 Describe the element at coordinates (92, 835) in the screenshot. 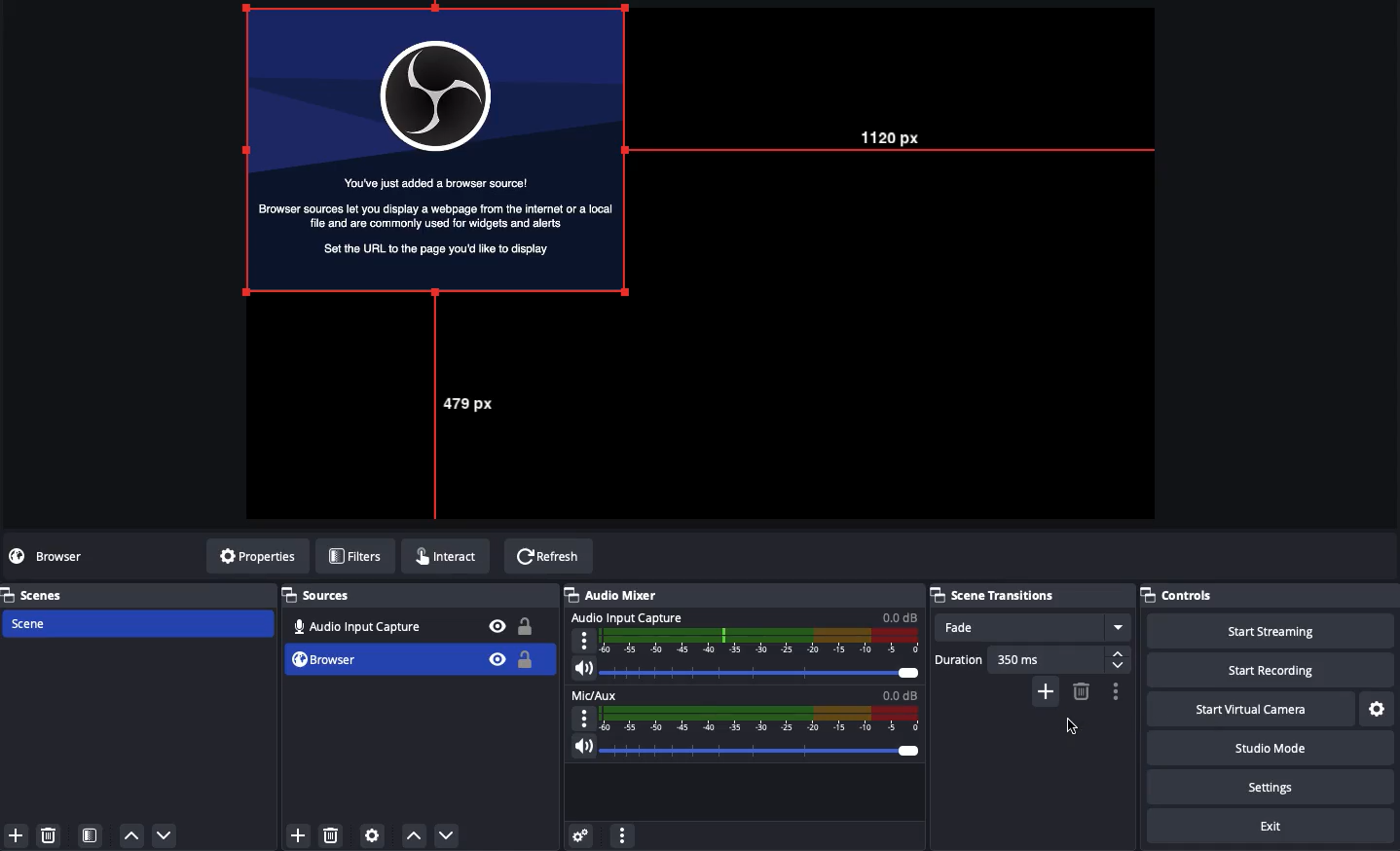

I see `Scene filter` at that location.